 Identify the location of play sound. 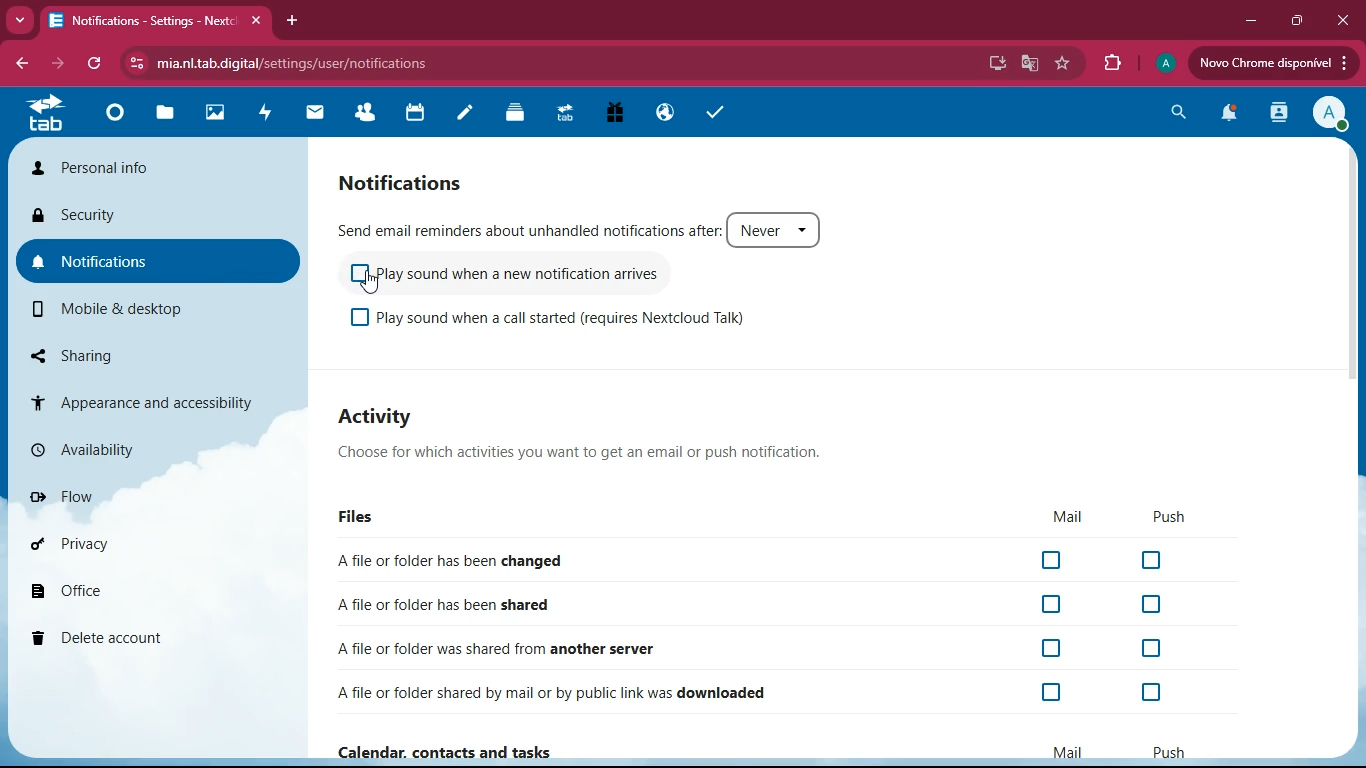
(540, 277).